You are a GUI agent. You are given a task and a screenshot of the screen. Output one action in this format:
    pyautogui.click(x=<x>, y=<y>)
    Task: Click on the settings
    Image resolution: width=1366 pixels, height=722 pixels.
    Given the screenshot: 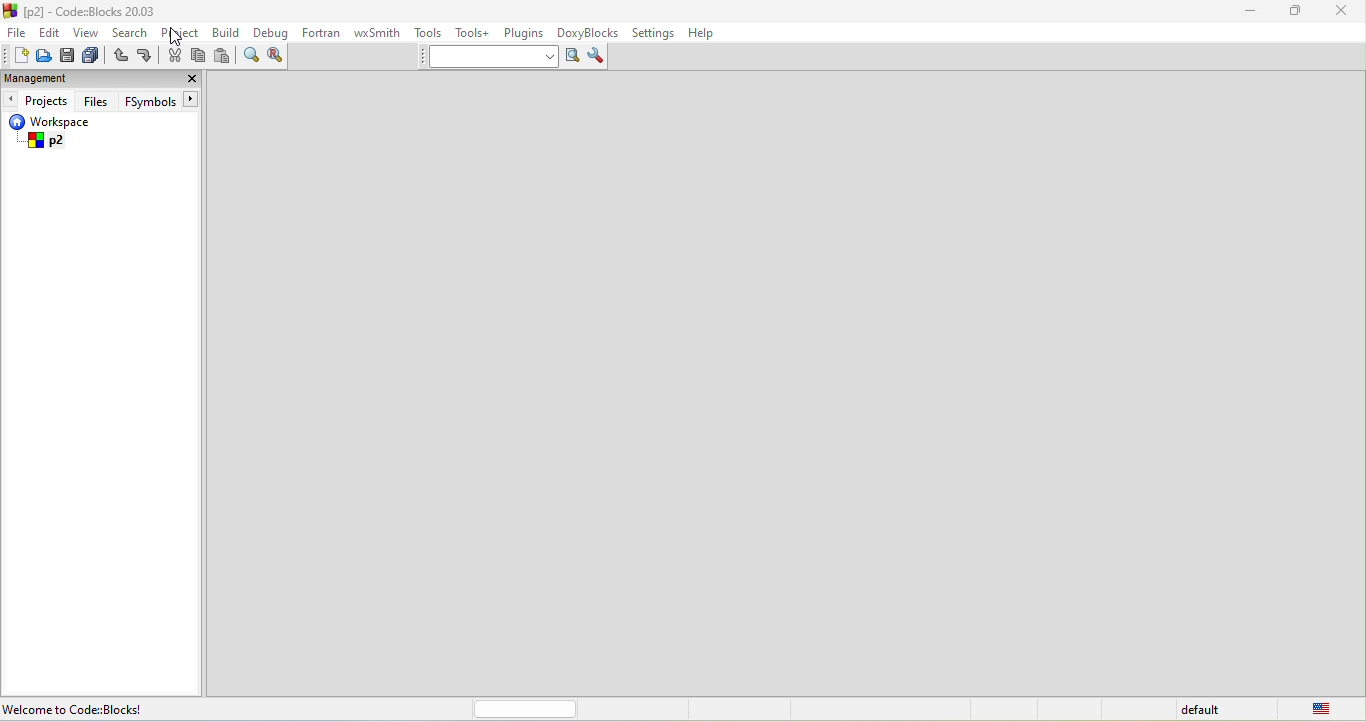 What is the action you would take?
    pyautogui.click(x=655, y=32)
    